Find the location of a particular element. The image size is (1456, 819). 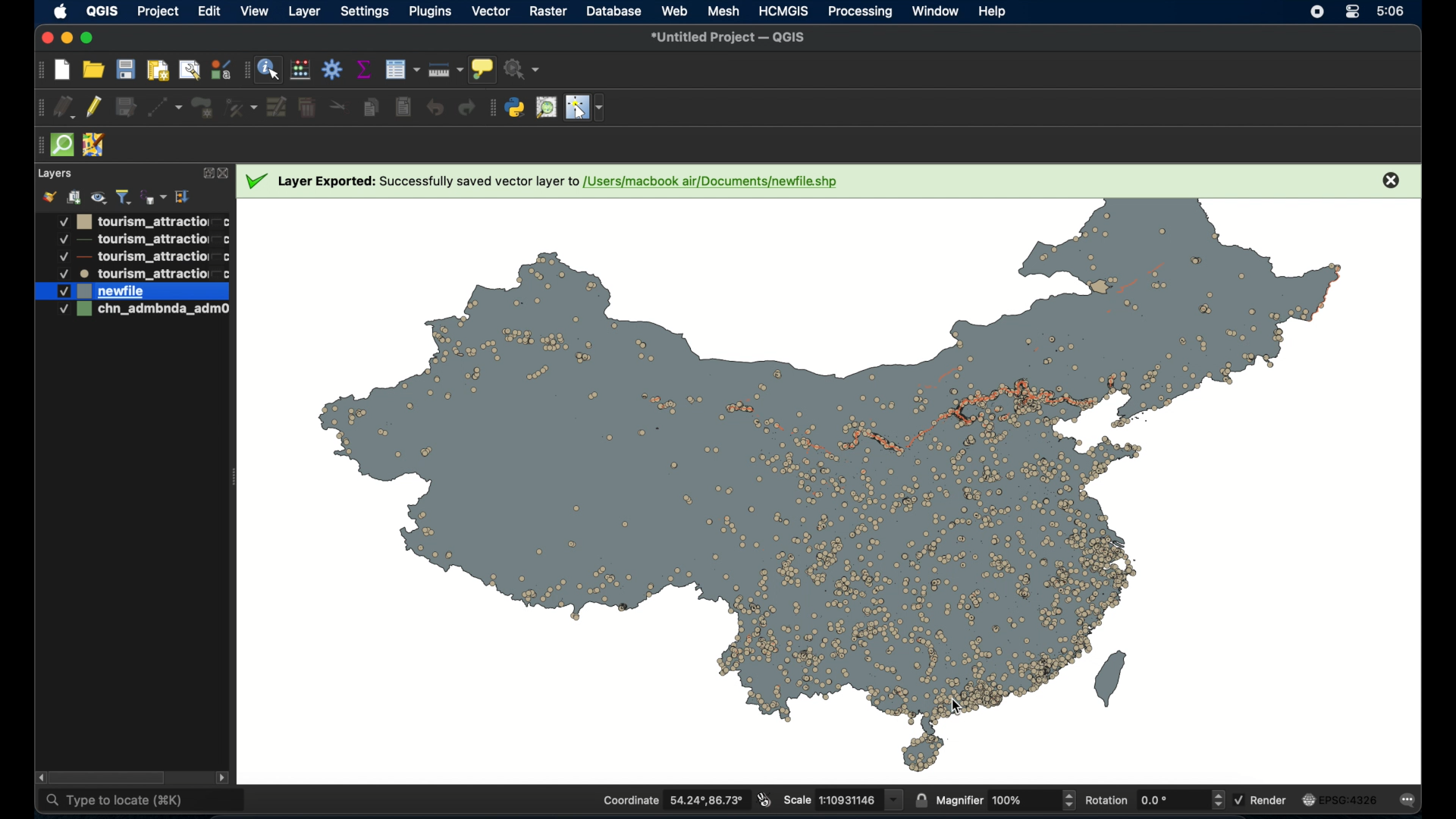

layer 4 is located at coordinates (133, 274).